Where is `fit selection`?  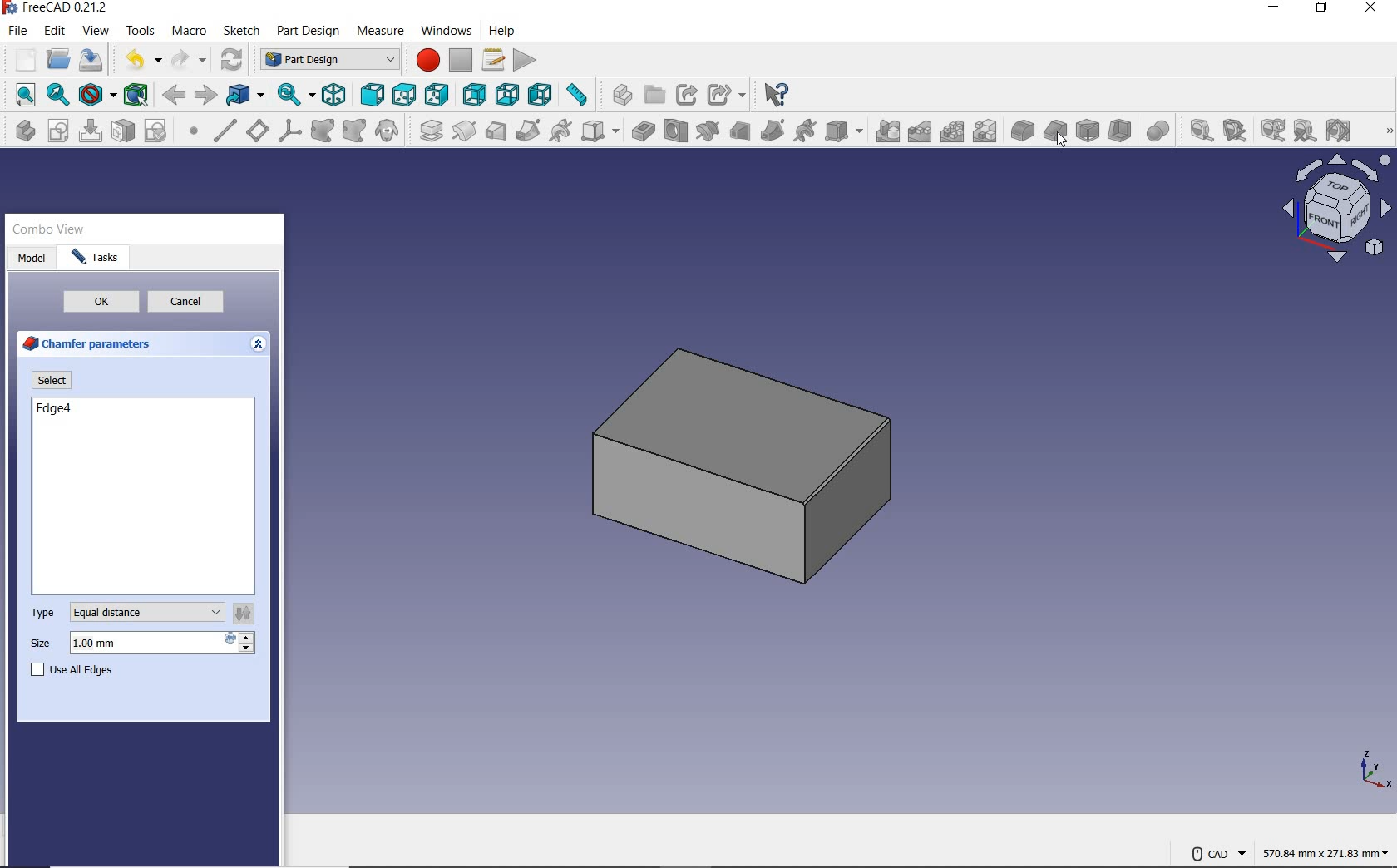 fit selection is located at coordinates (57, 96).